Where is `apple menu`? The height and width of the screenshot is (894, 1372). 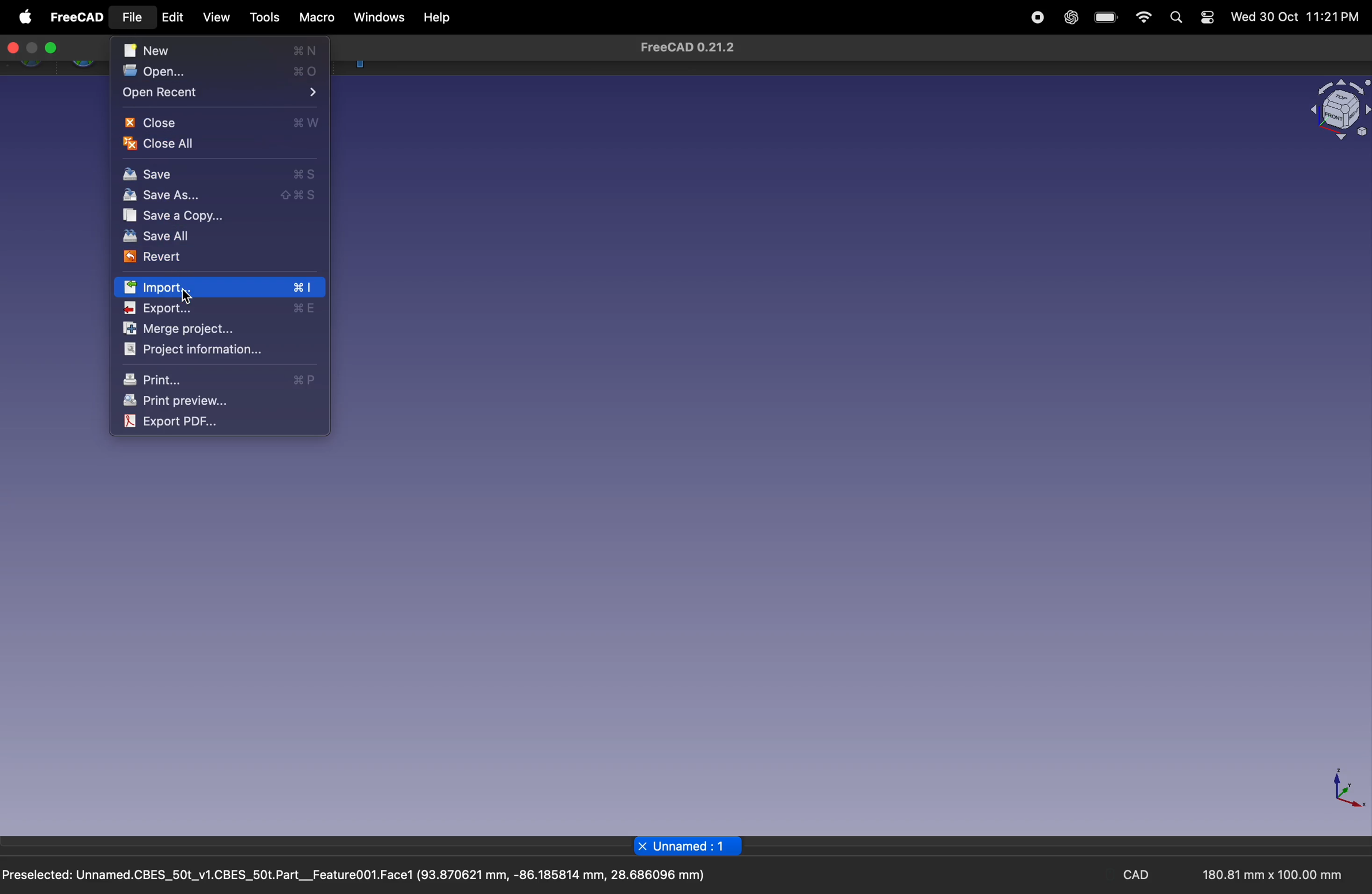 apple menu is located at coordinates (24, 16).